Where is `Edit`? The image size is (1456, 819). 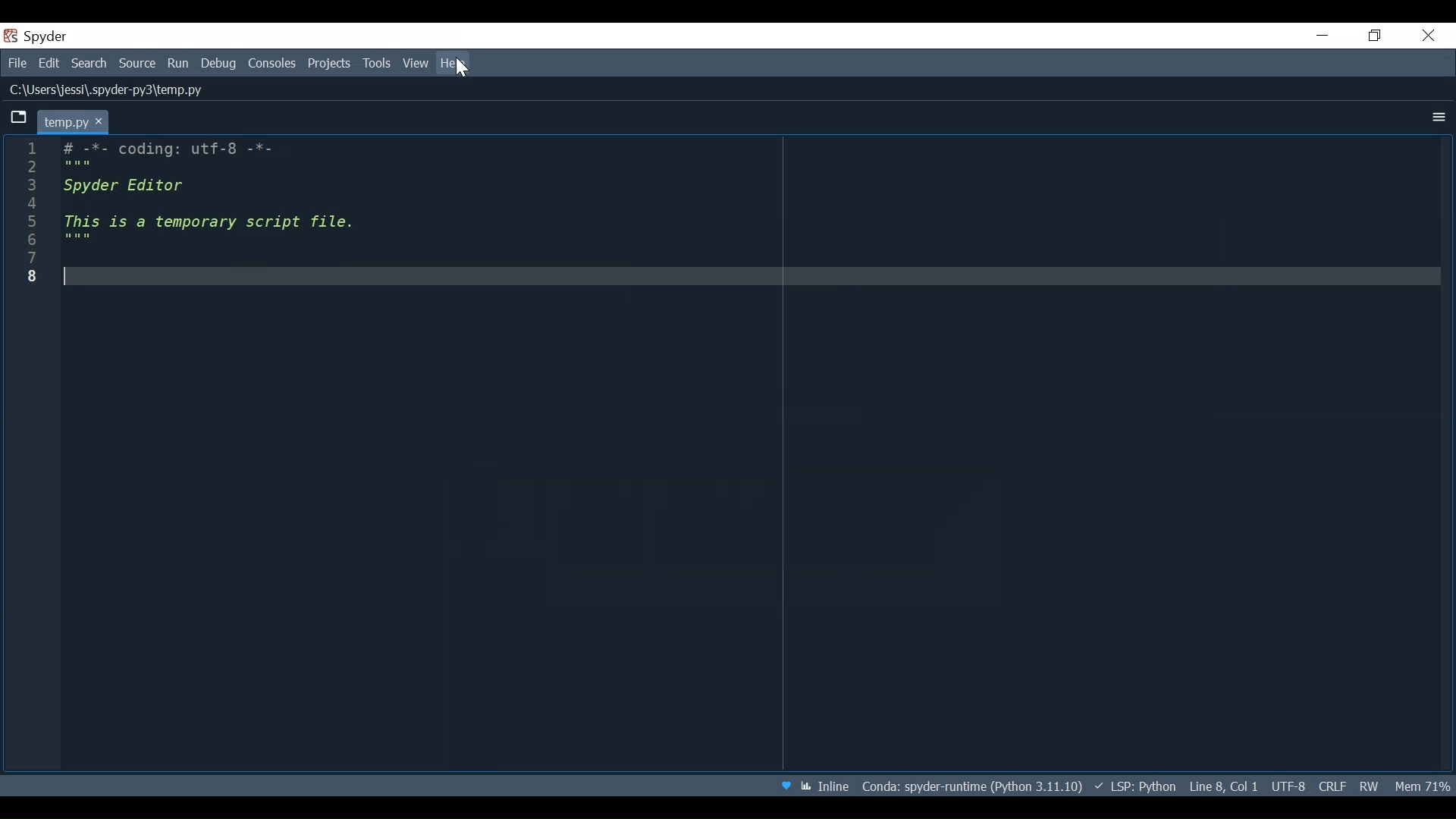 Edit is located at coordinates (49, 64).